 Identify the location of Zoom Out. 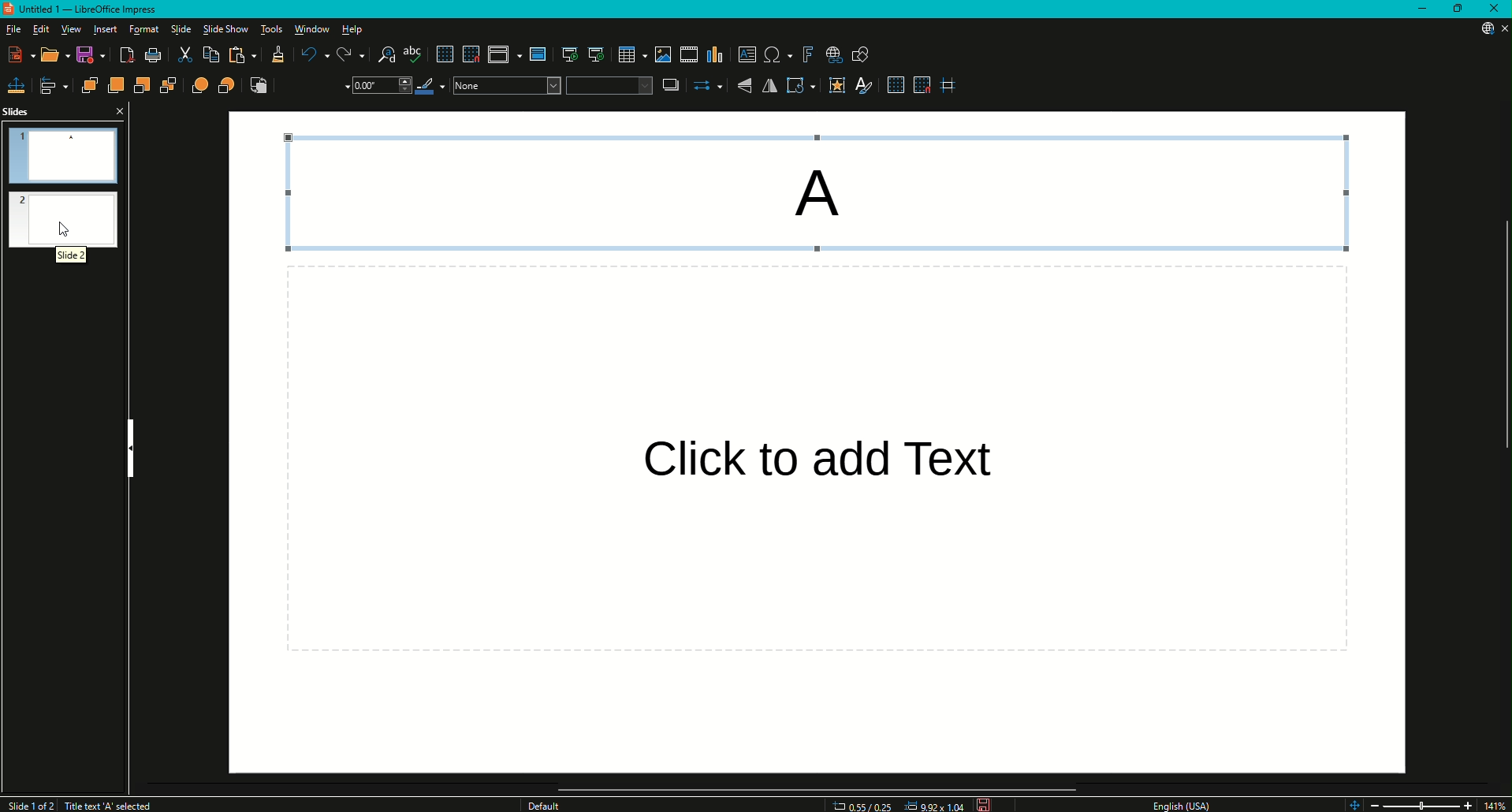
(1381, 803).